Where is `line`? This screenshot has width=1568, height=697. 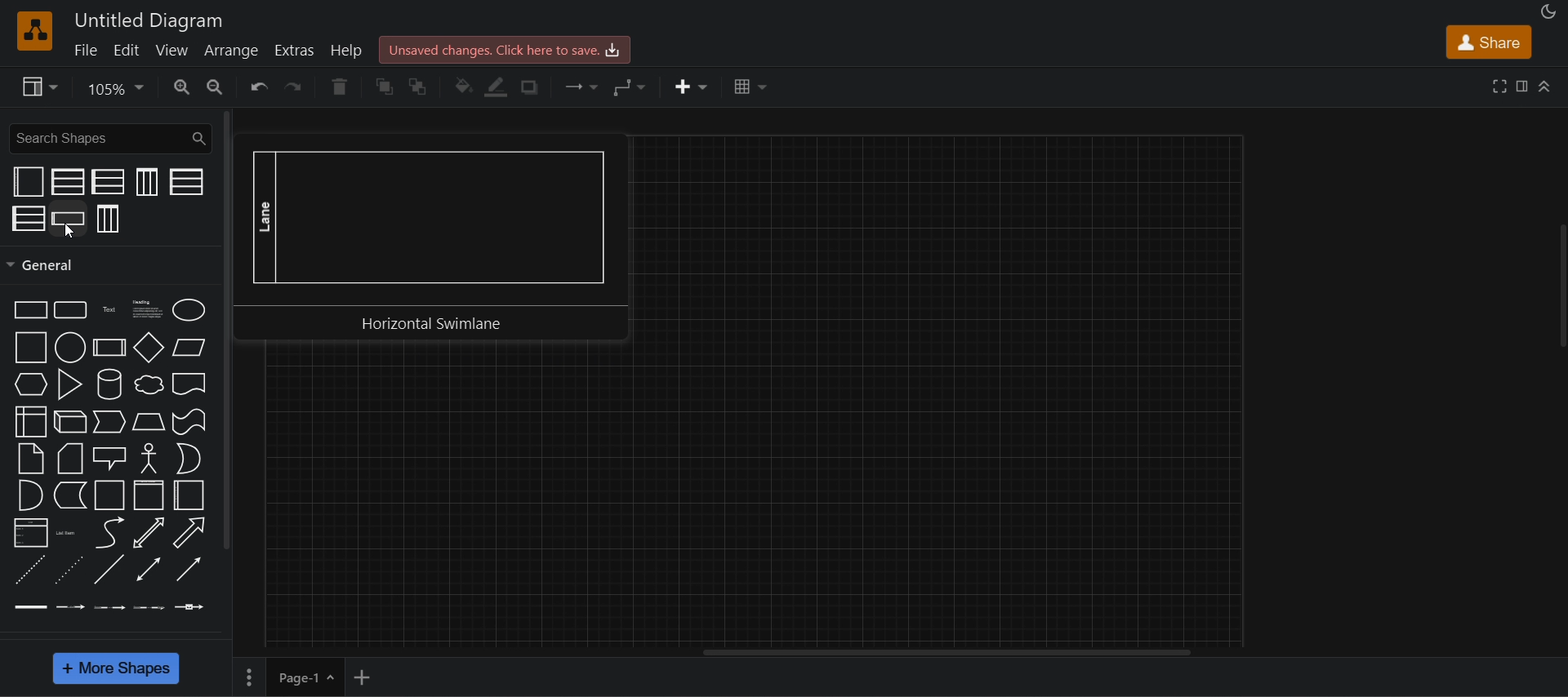
line is located at coordinates (109, 568).